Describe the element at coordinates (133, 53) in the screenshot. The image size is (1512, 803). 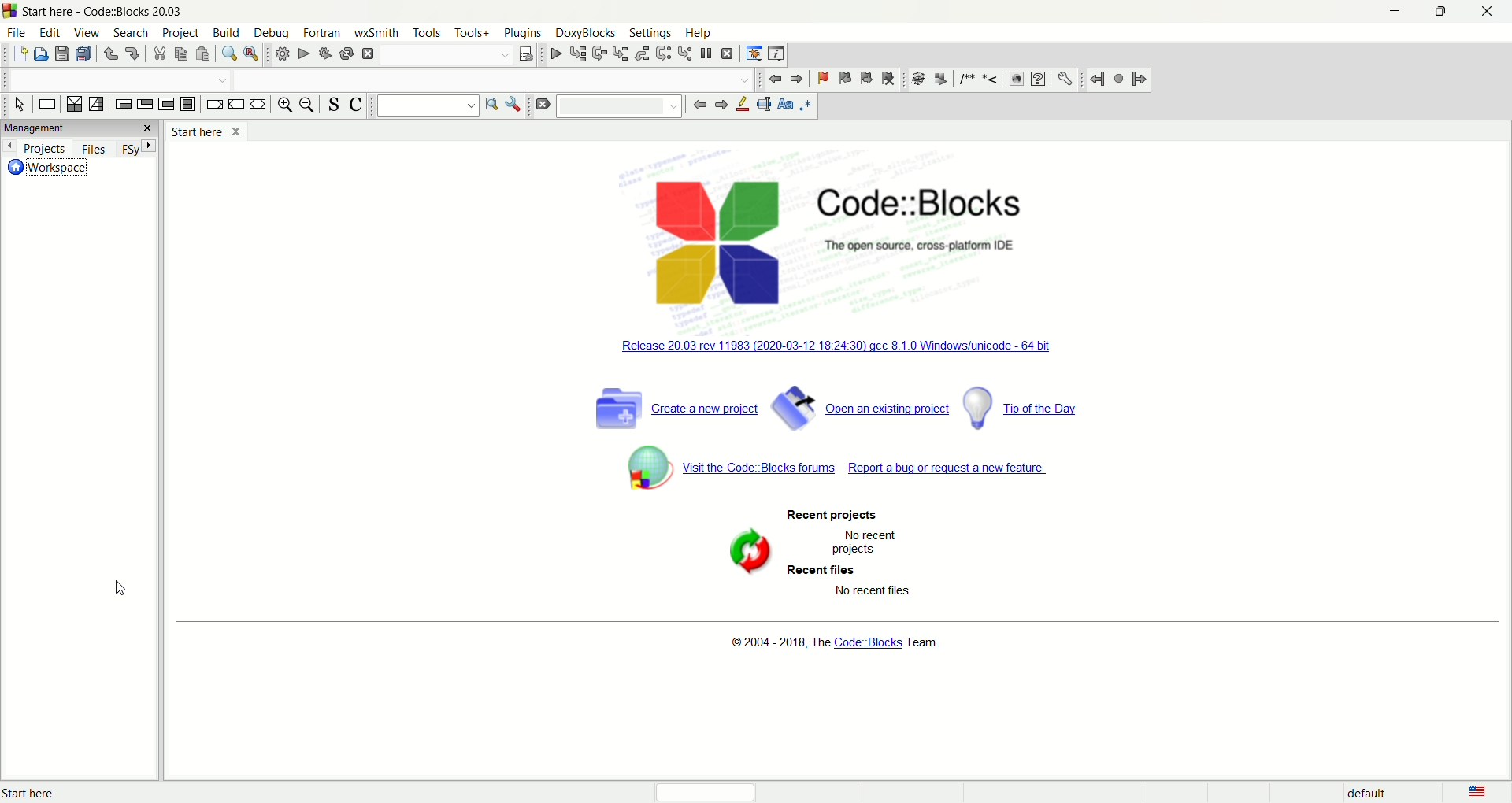
I see `redo` at that location.